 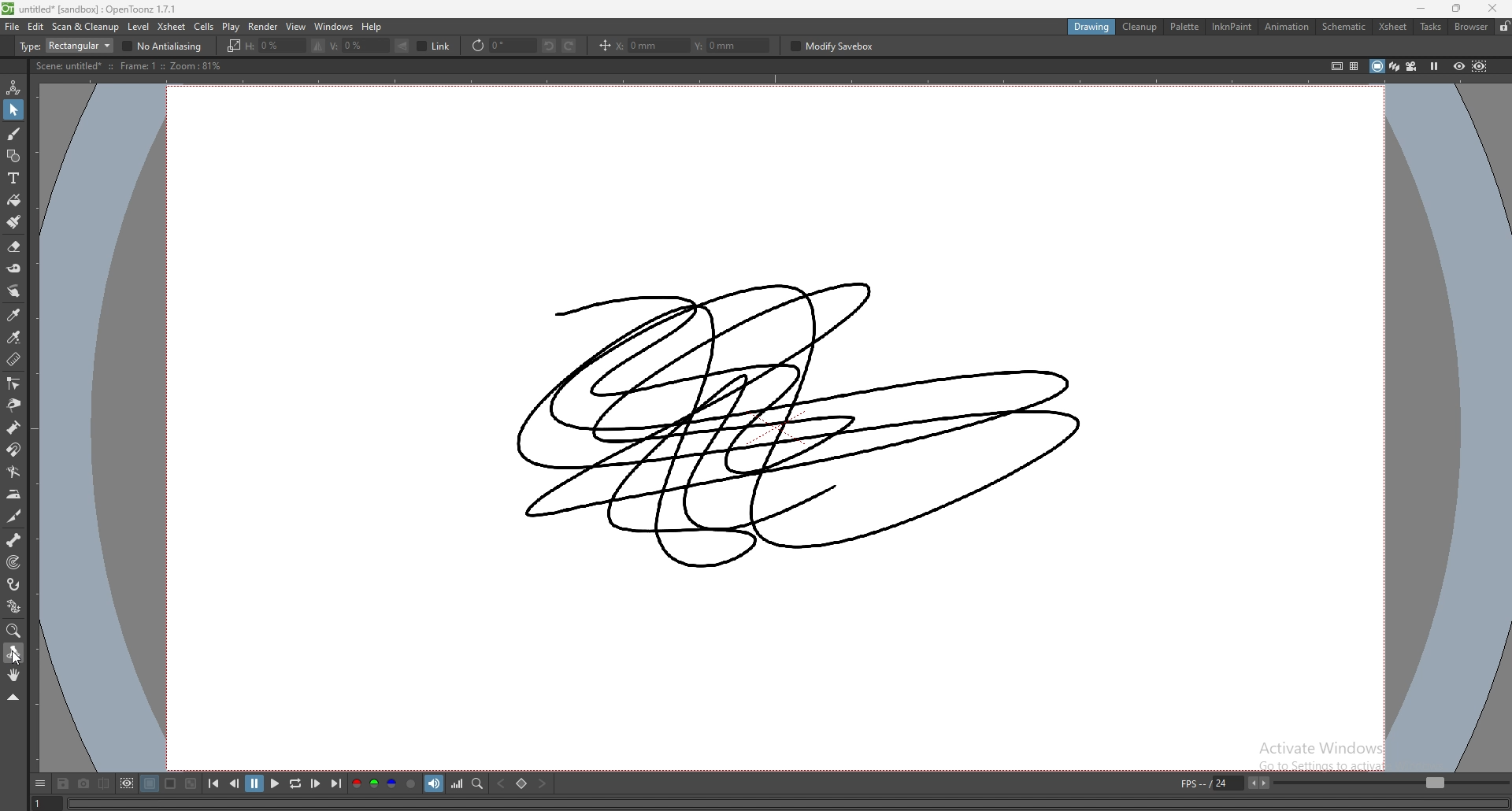 What do you see at coordinates (1376, 66) in the screenshot?
I see `camera stand view` at bounding box center [1376, 66].